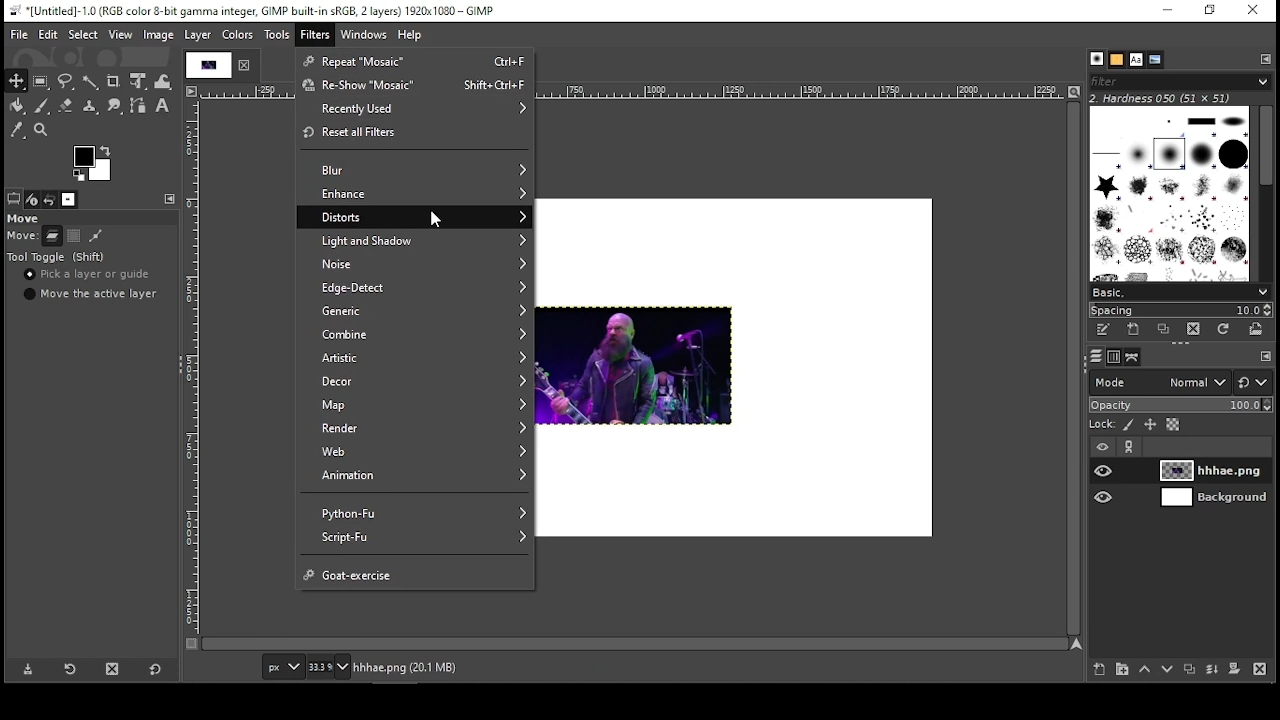 The width and height of the screenshot is (1280, 720). What do you see at coordinates (23, 236) in the screenshot?
I see `move` at bounding box center [23, 236].